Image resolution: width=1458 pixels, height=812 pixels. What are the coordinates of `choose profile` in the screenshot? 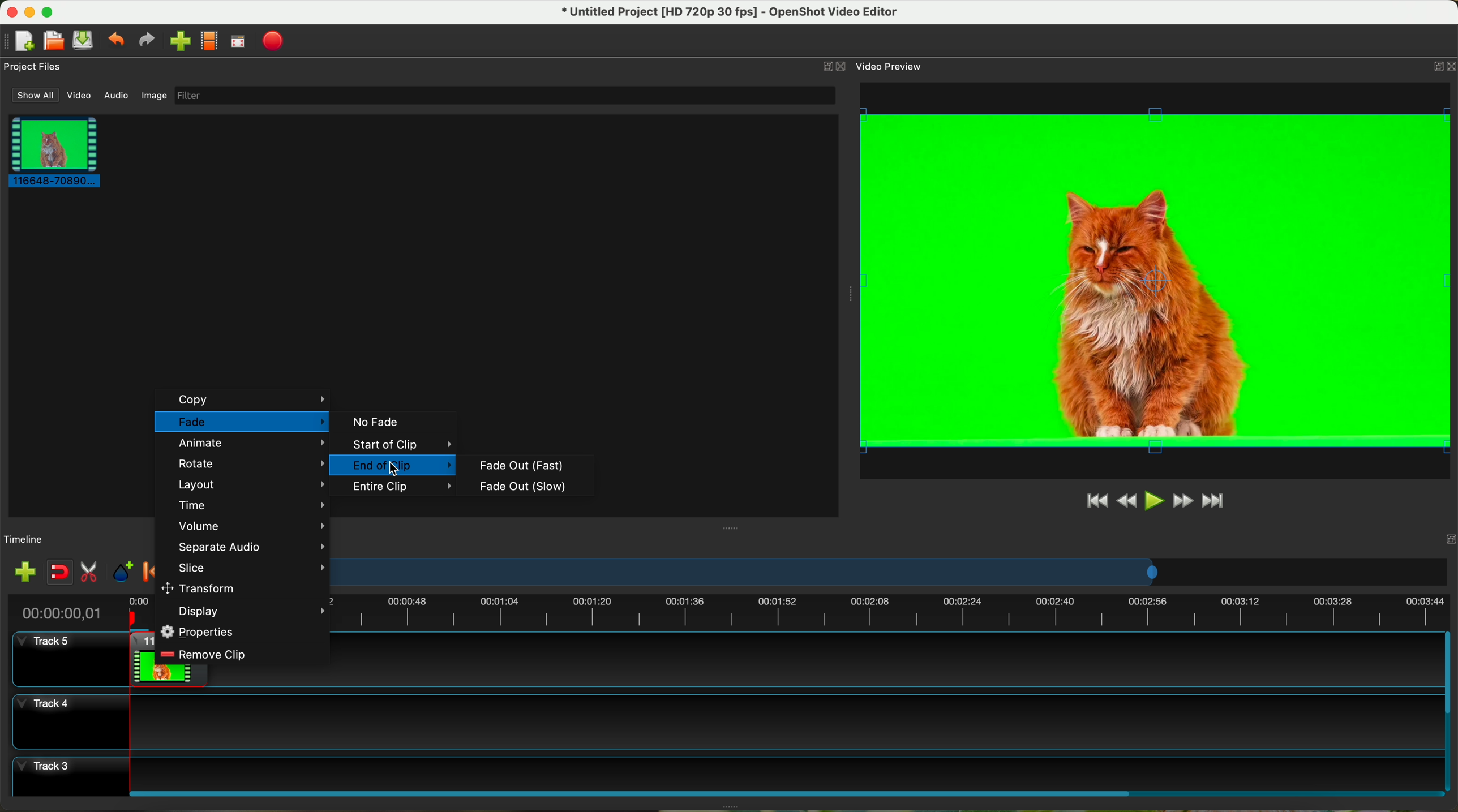 It's located at (209, 41).